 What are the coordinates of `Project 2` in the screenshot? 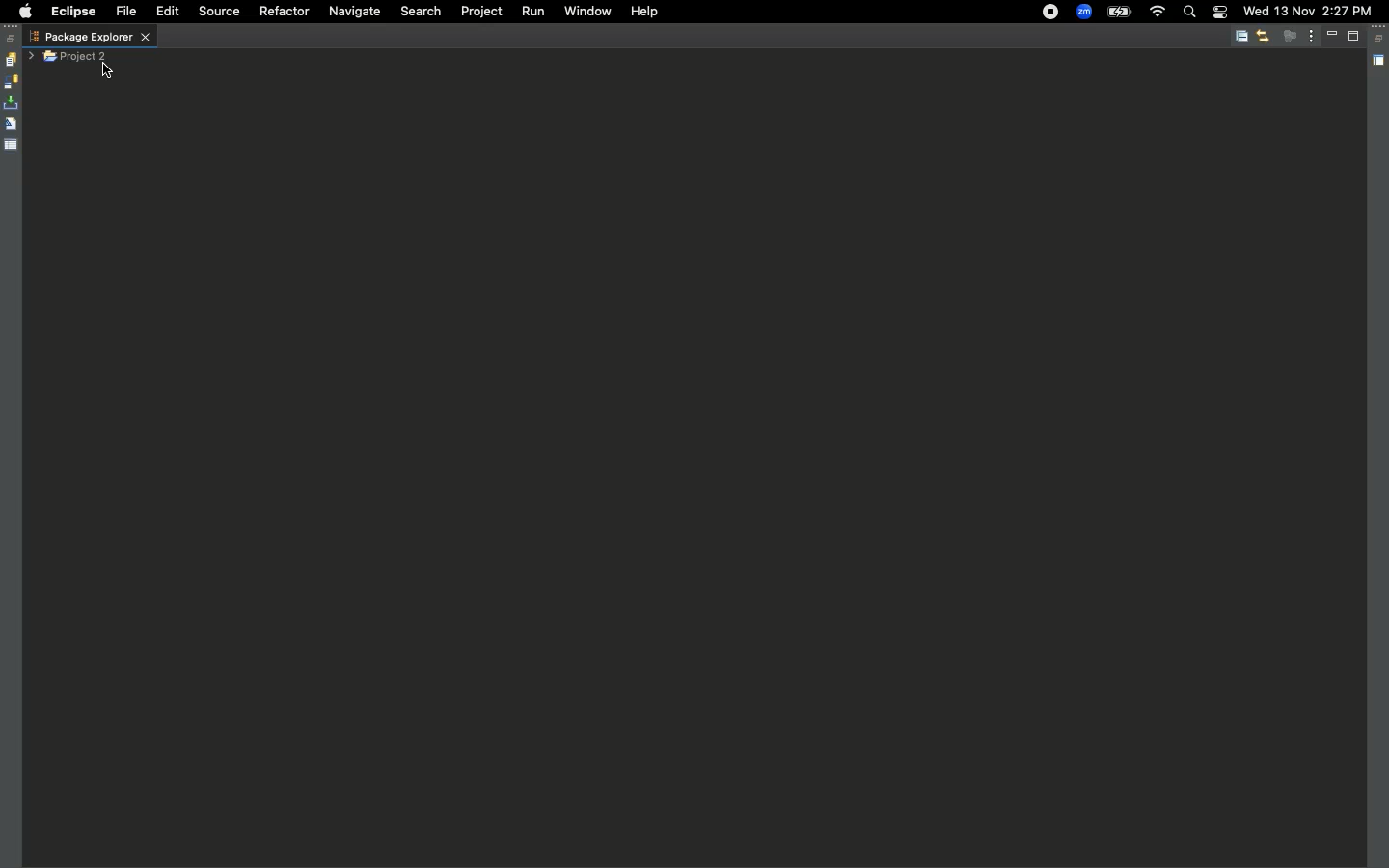 It's located at (77, 57).